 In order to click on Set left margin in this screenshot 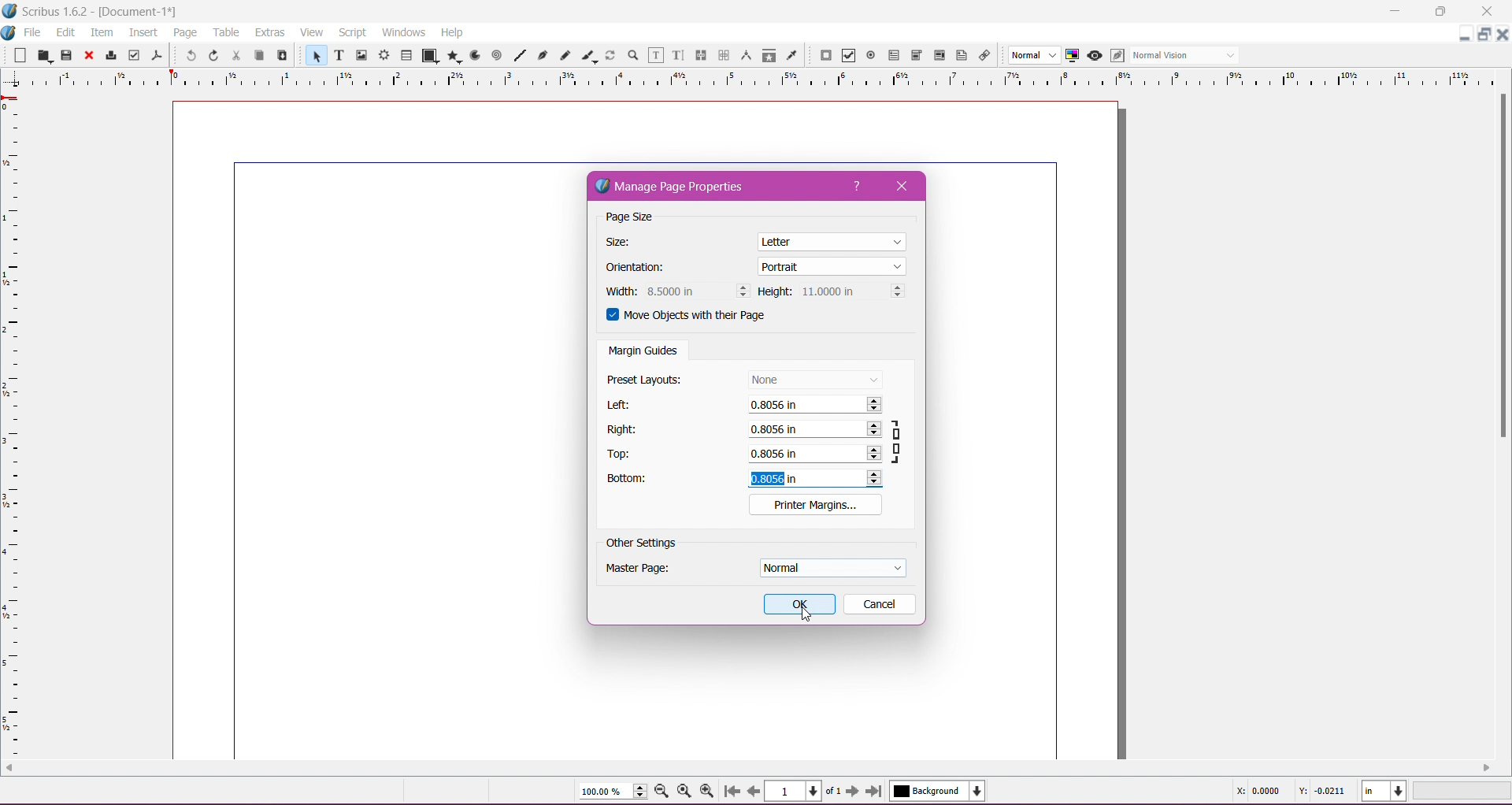, I will do `click(815, 406)`.